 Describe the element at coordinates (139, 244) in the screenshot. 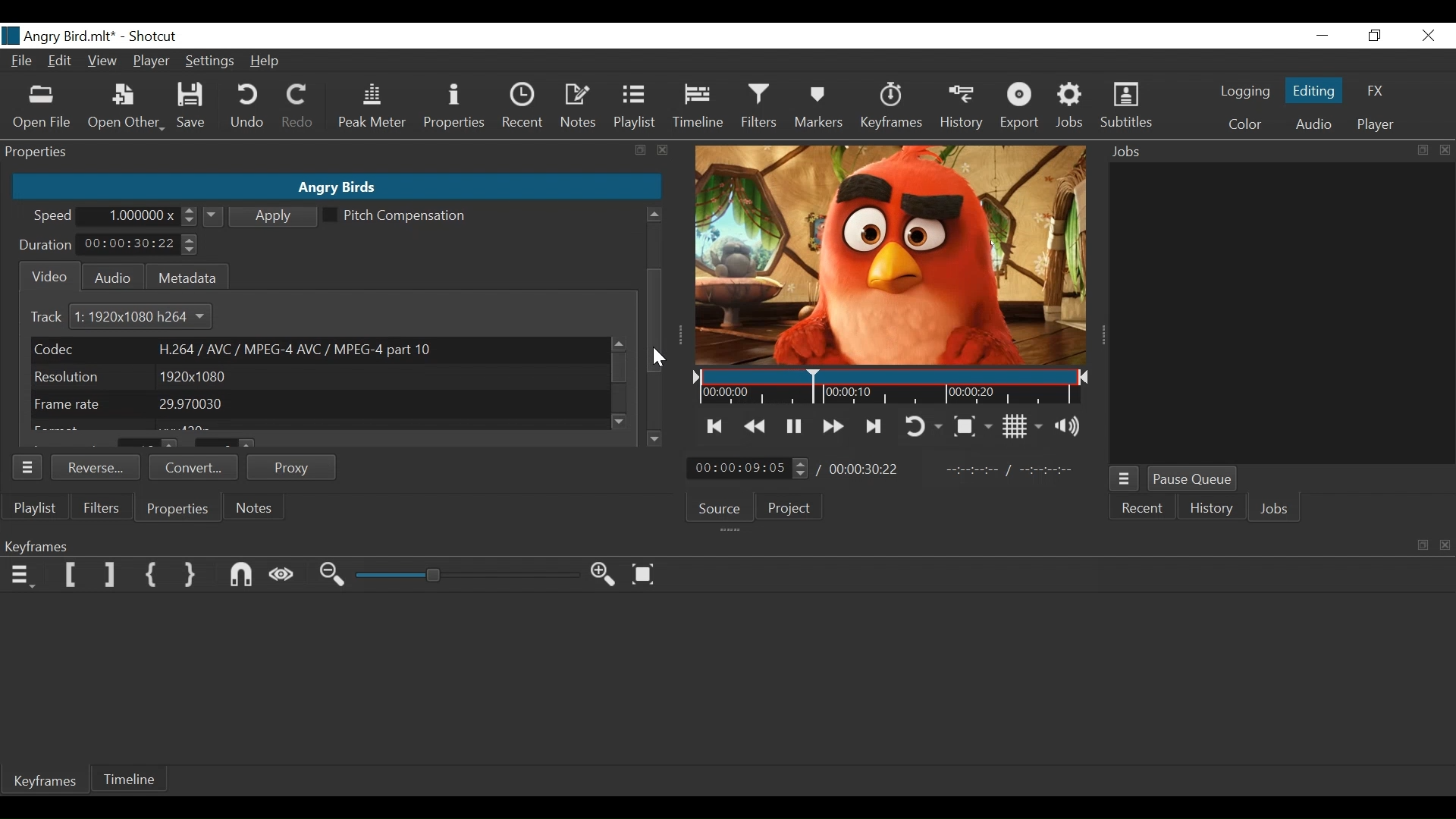

I see `Duration Field` at that location.